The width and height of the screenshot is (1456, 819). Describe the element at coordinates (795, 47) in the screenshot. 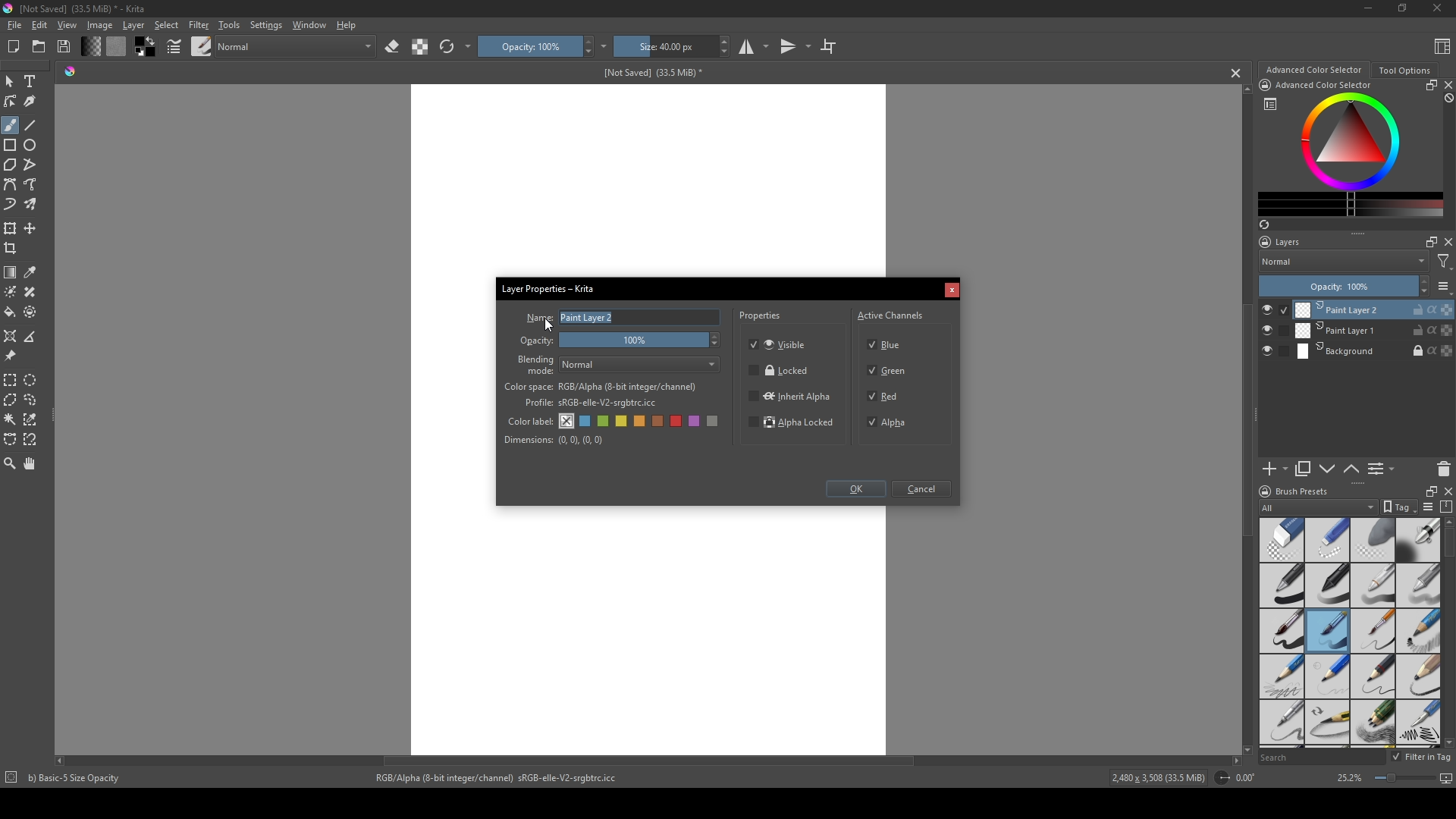

I see `transitions` at that location.